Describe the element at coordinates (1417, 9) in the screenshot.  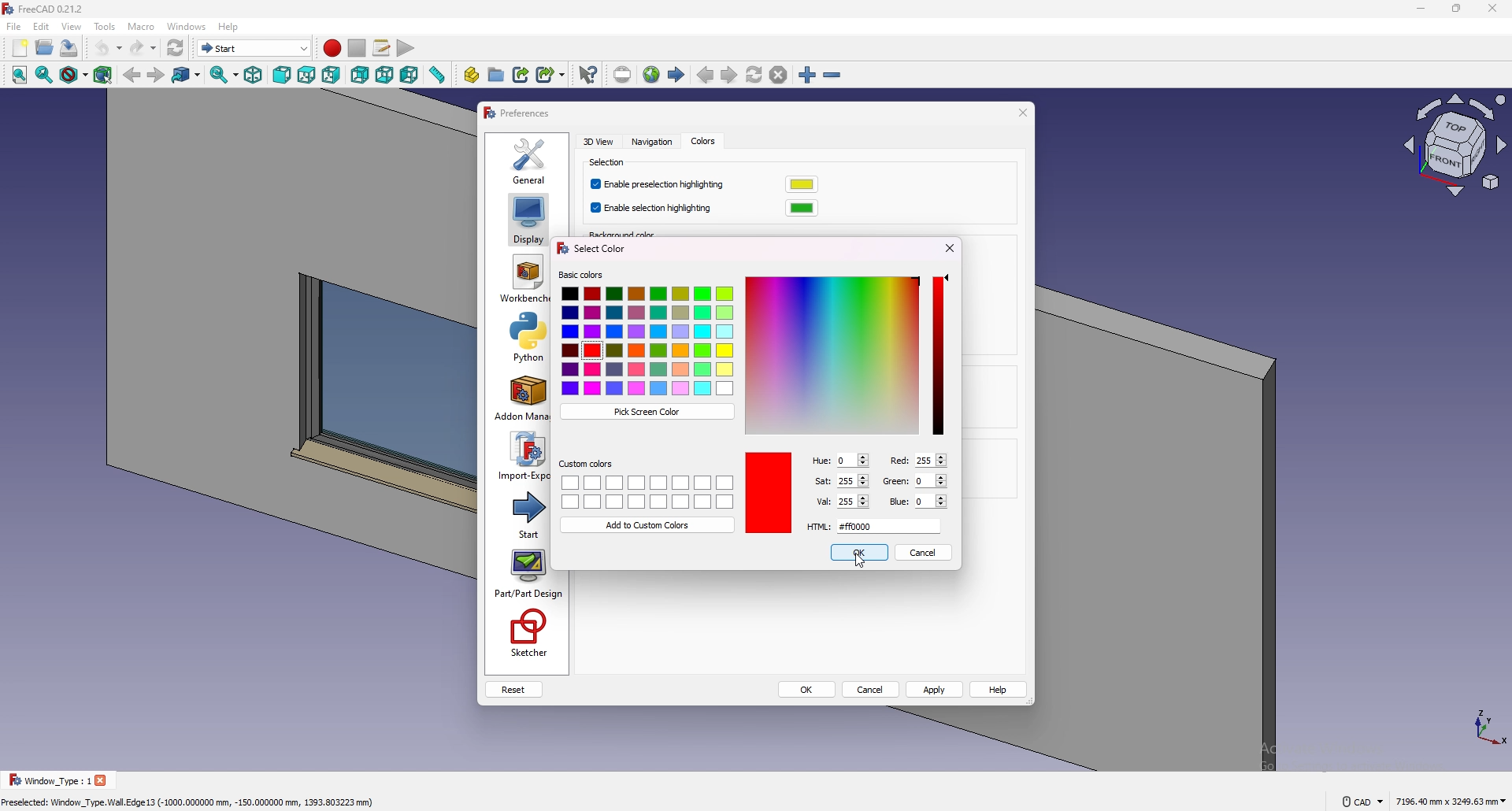
I see `minimize` at that location.